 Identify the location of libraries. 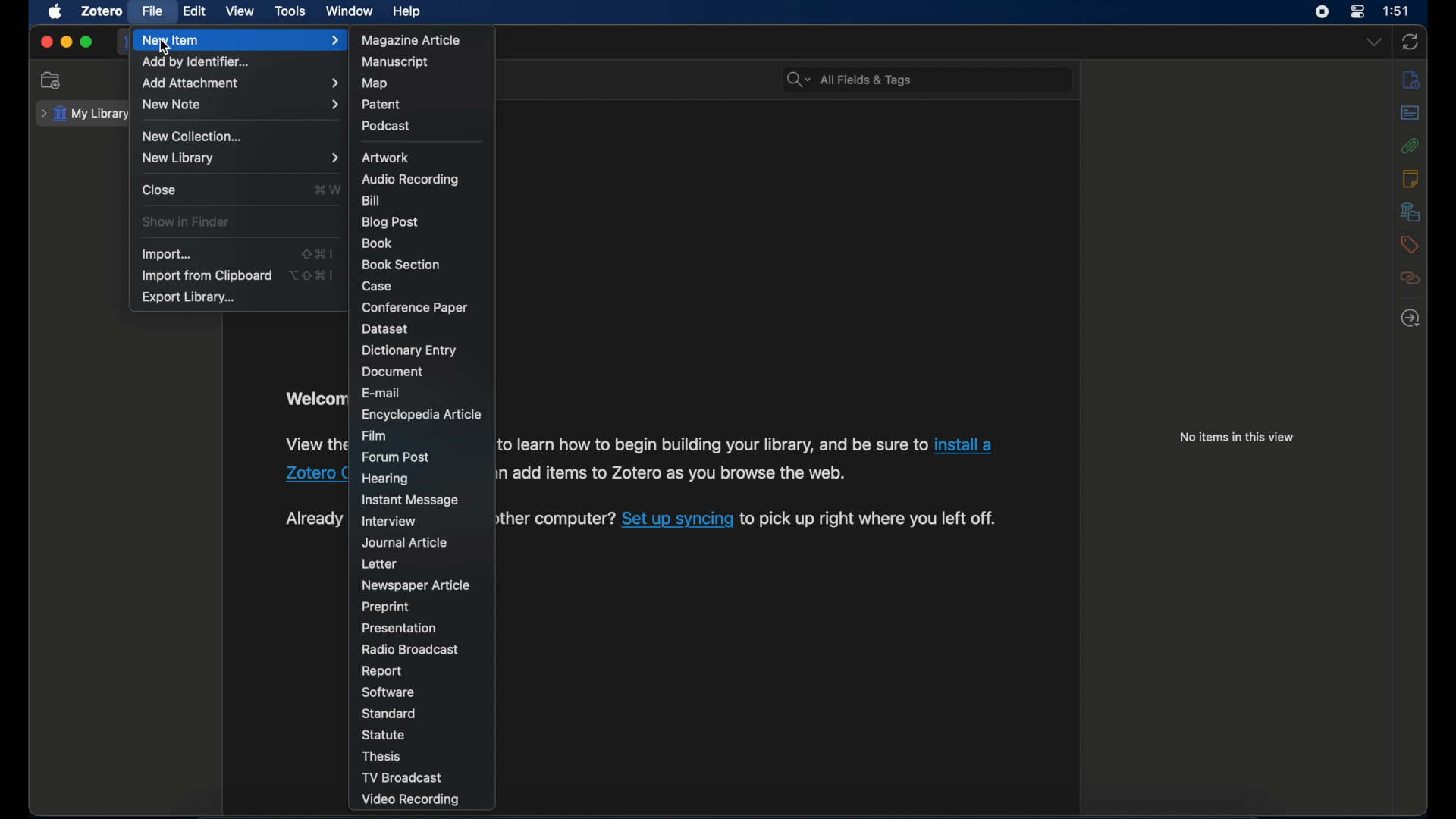
(1410, 212).